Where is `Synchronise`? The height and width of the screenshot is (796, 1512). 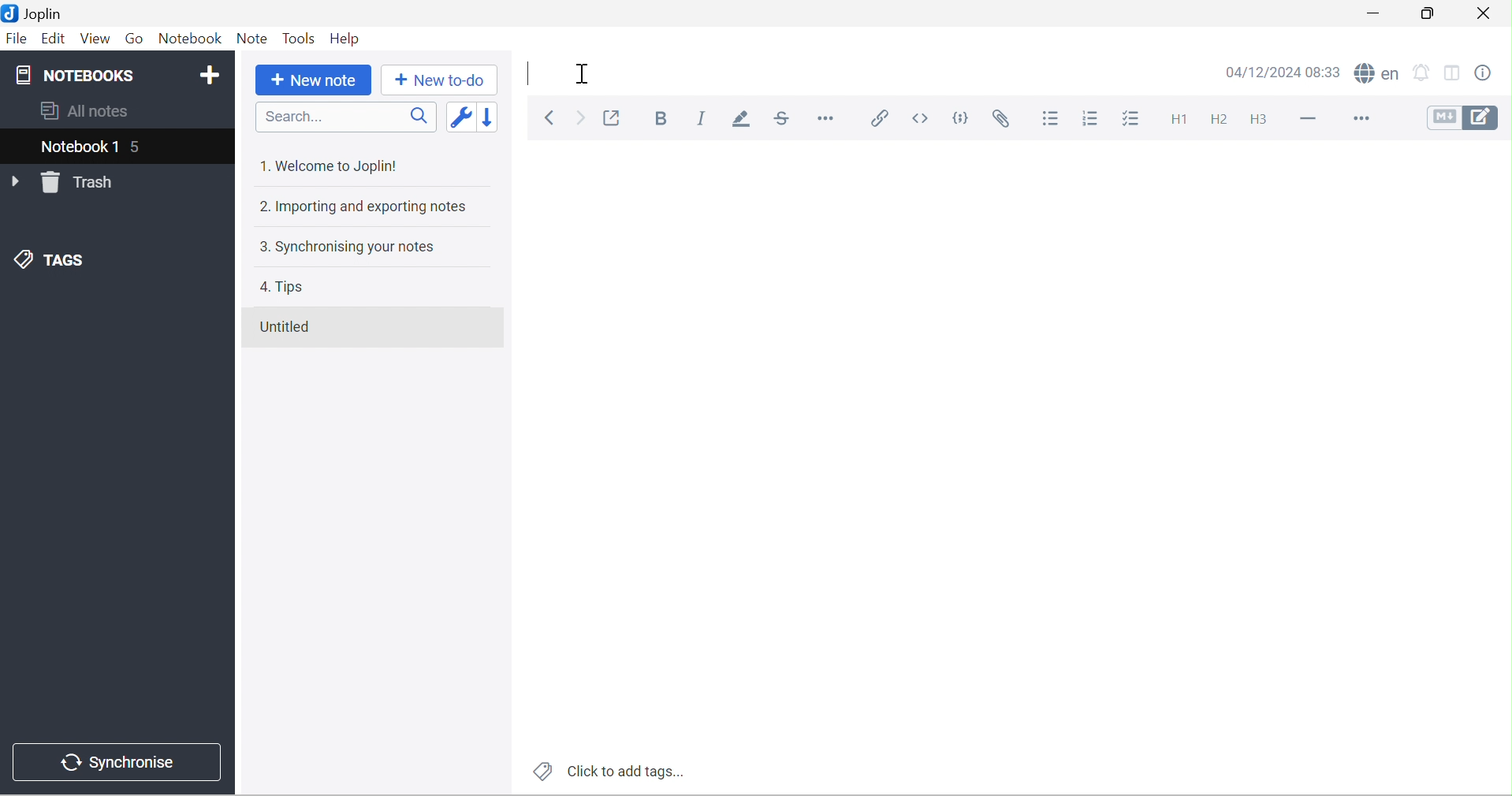 Synchronise is located at coordinates (117, 762).